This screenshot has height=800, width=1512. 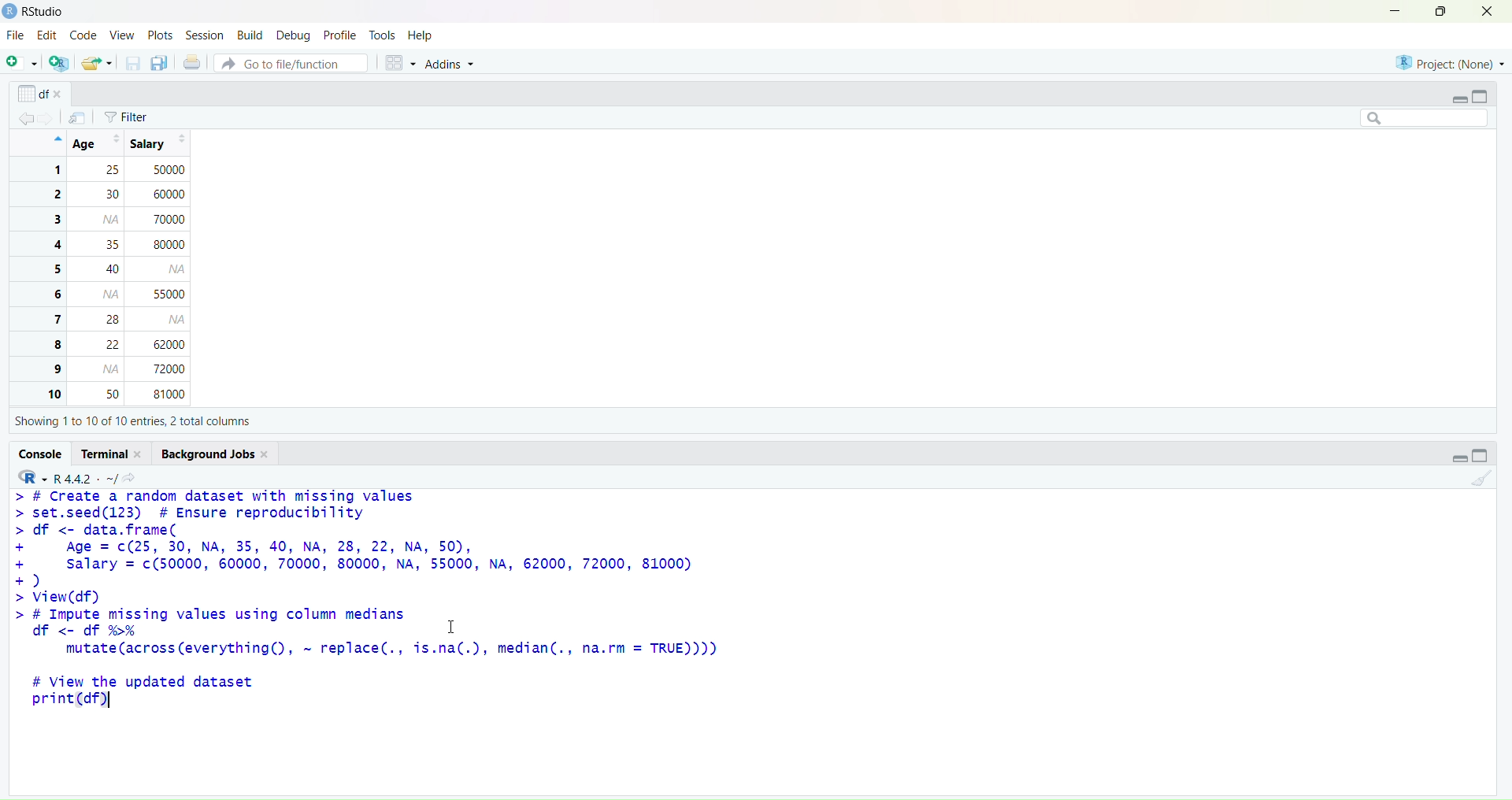 What do you see at coordinates (160, 64) in the screenshot?
I see `save all open documents` at bounding box center [160, 64].